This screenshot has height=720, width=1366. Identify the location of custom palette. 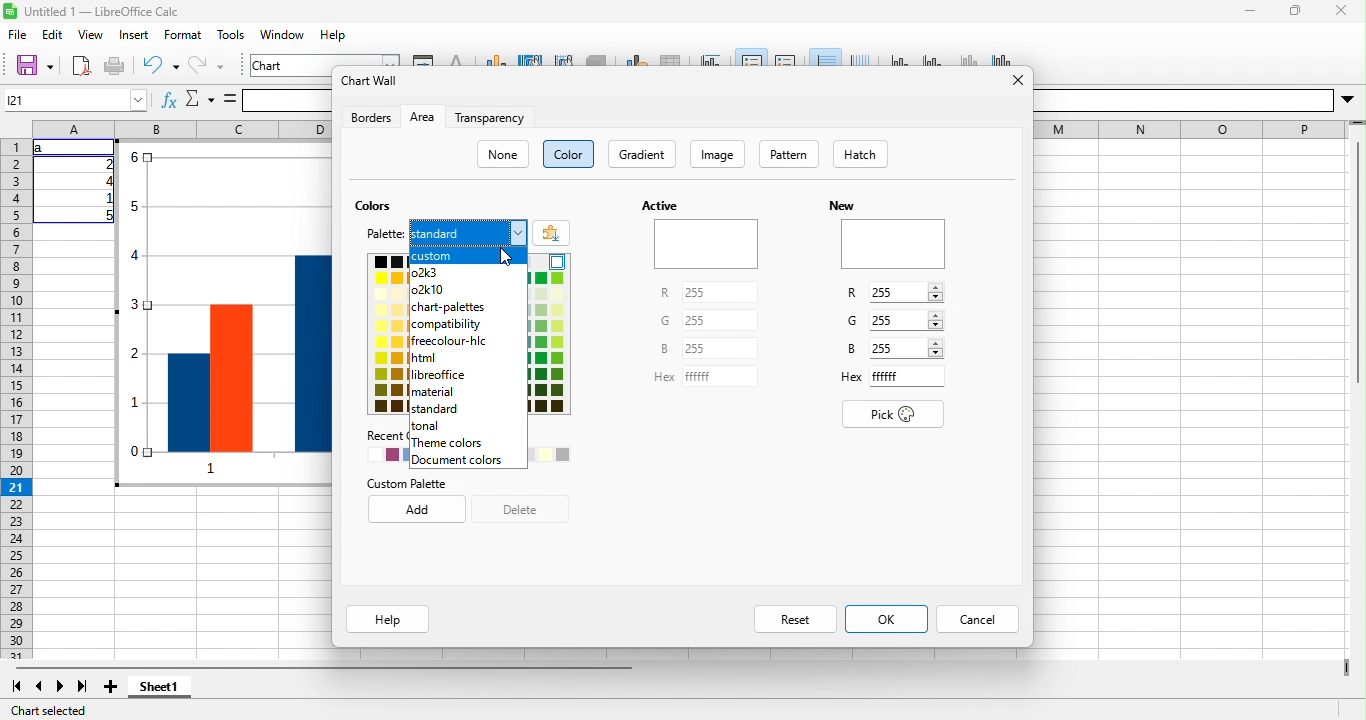
(406, 484).